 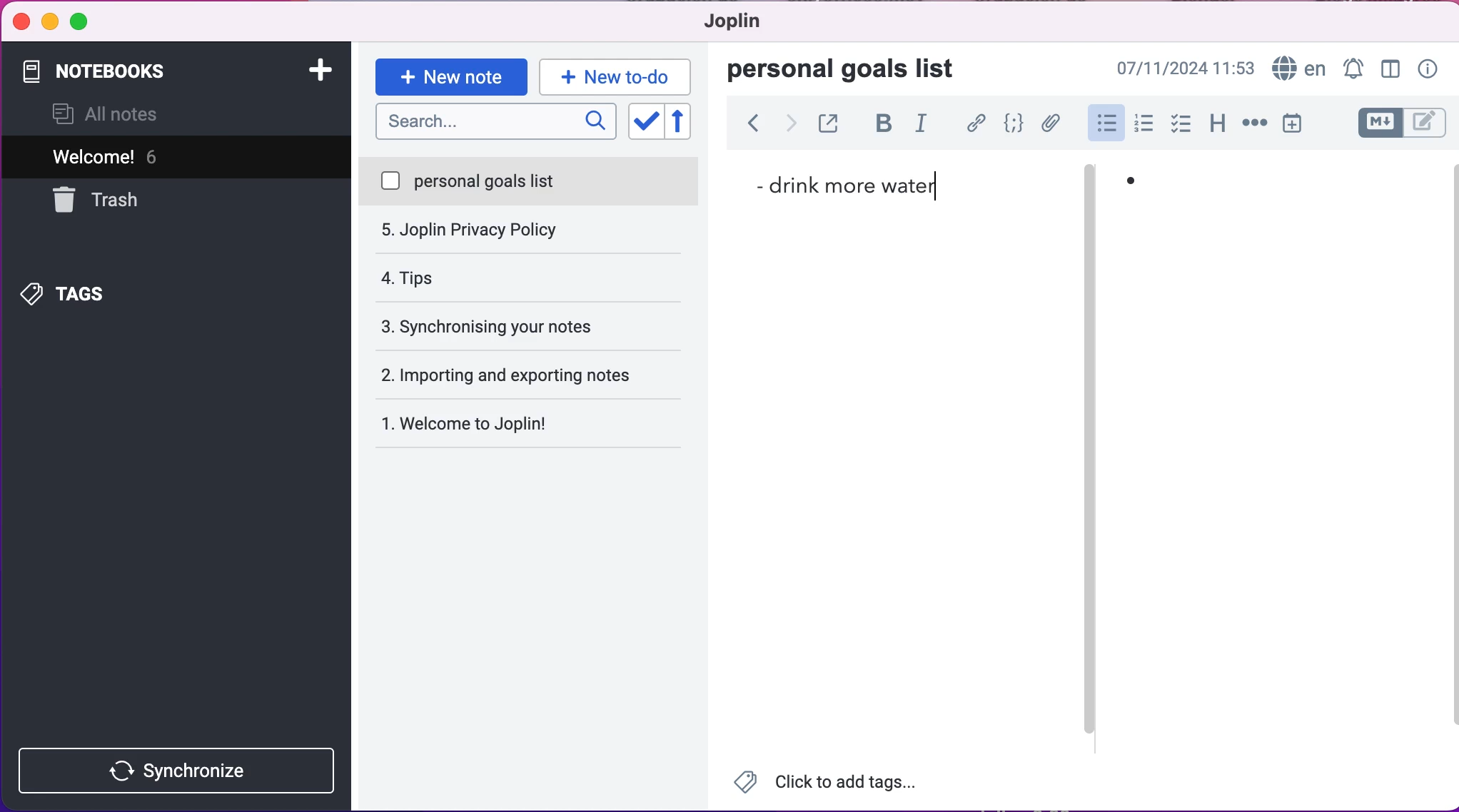 What do you see at coordinates (620, 76) in the screenshot?
I see `new to-do` at bounding box center [620, 76].